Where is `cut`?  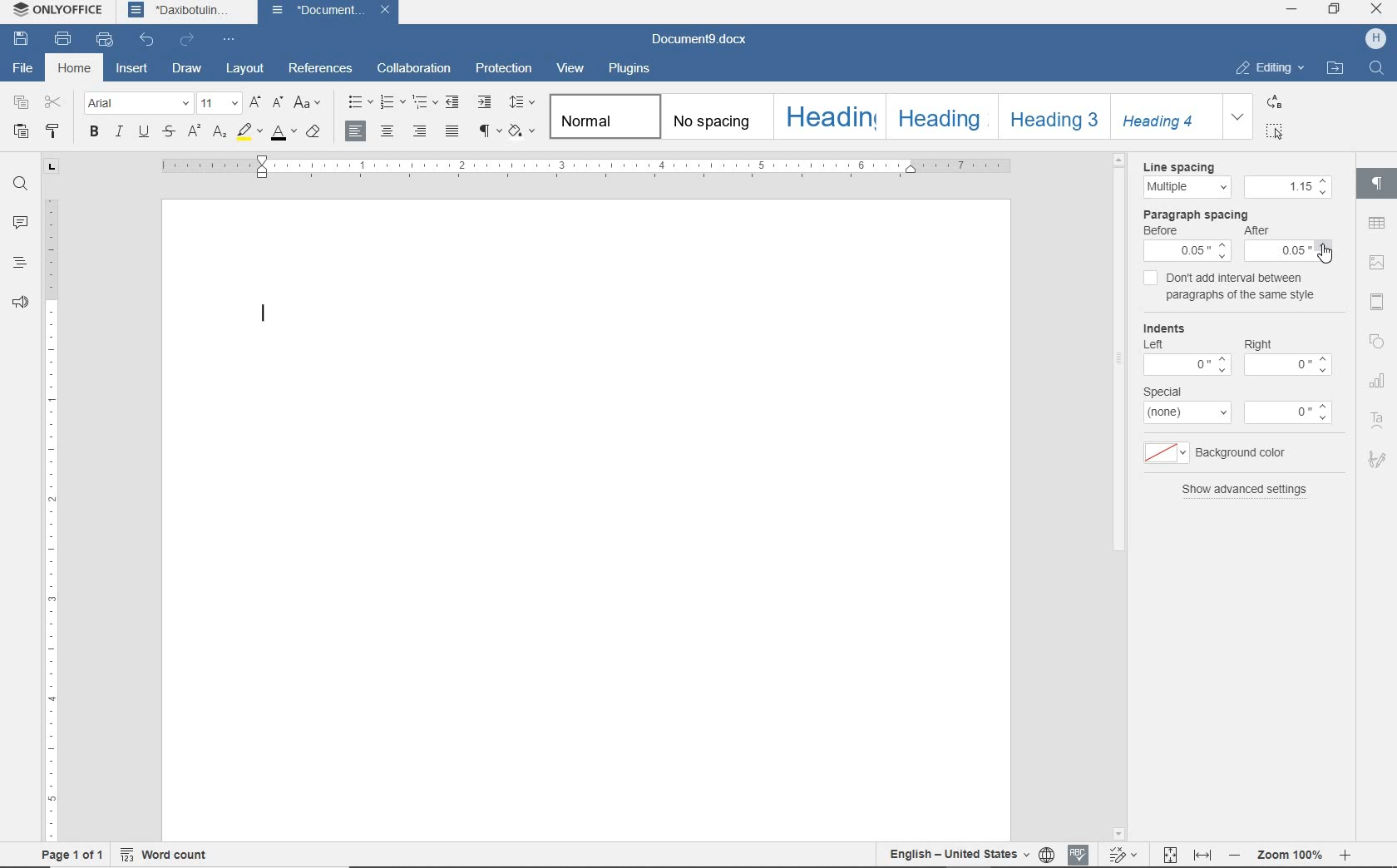 cut is located at coordinates (57, 102).